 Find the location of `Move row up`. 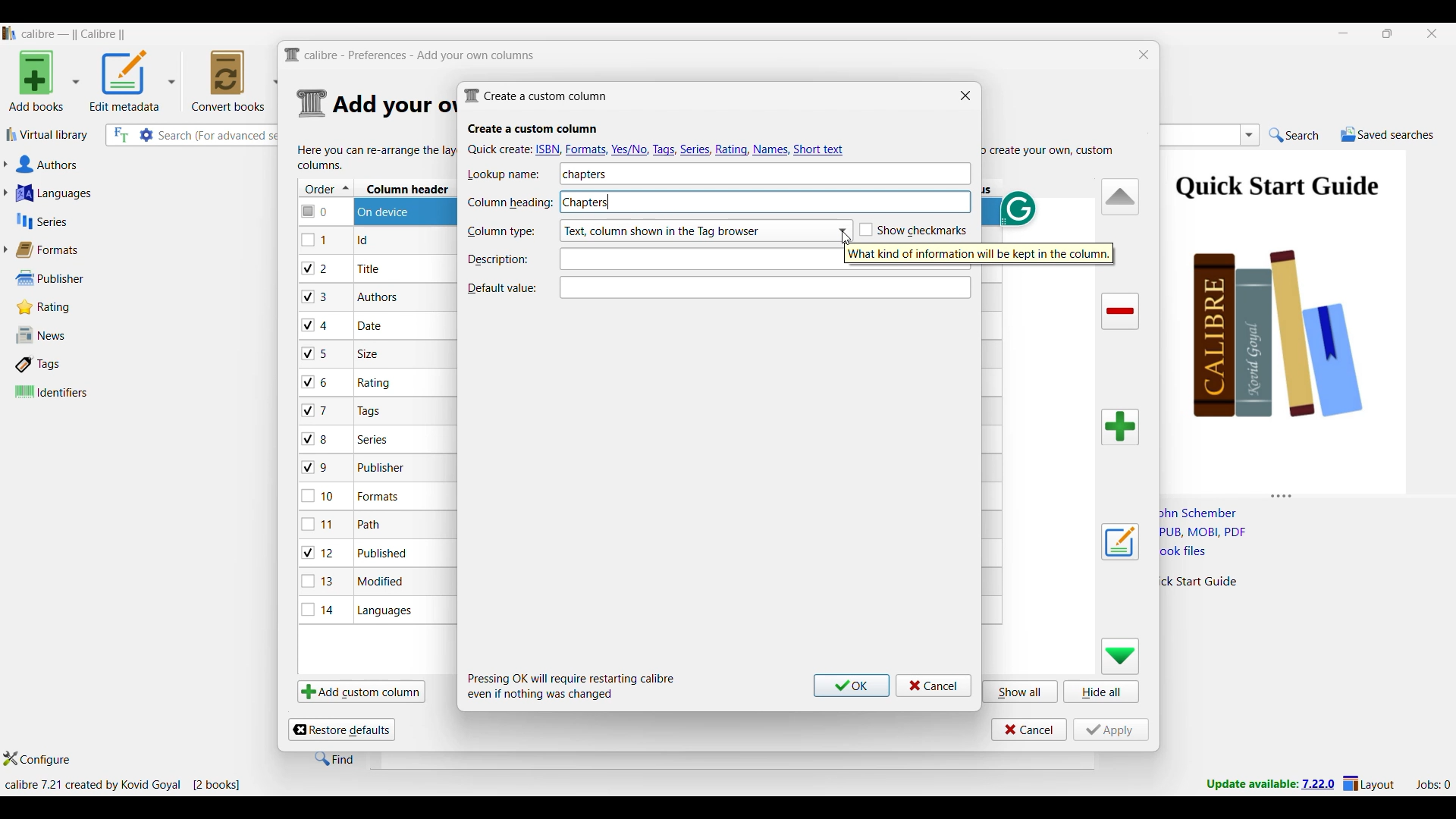

Move row up is located at coordinates (1121, 196).